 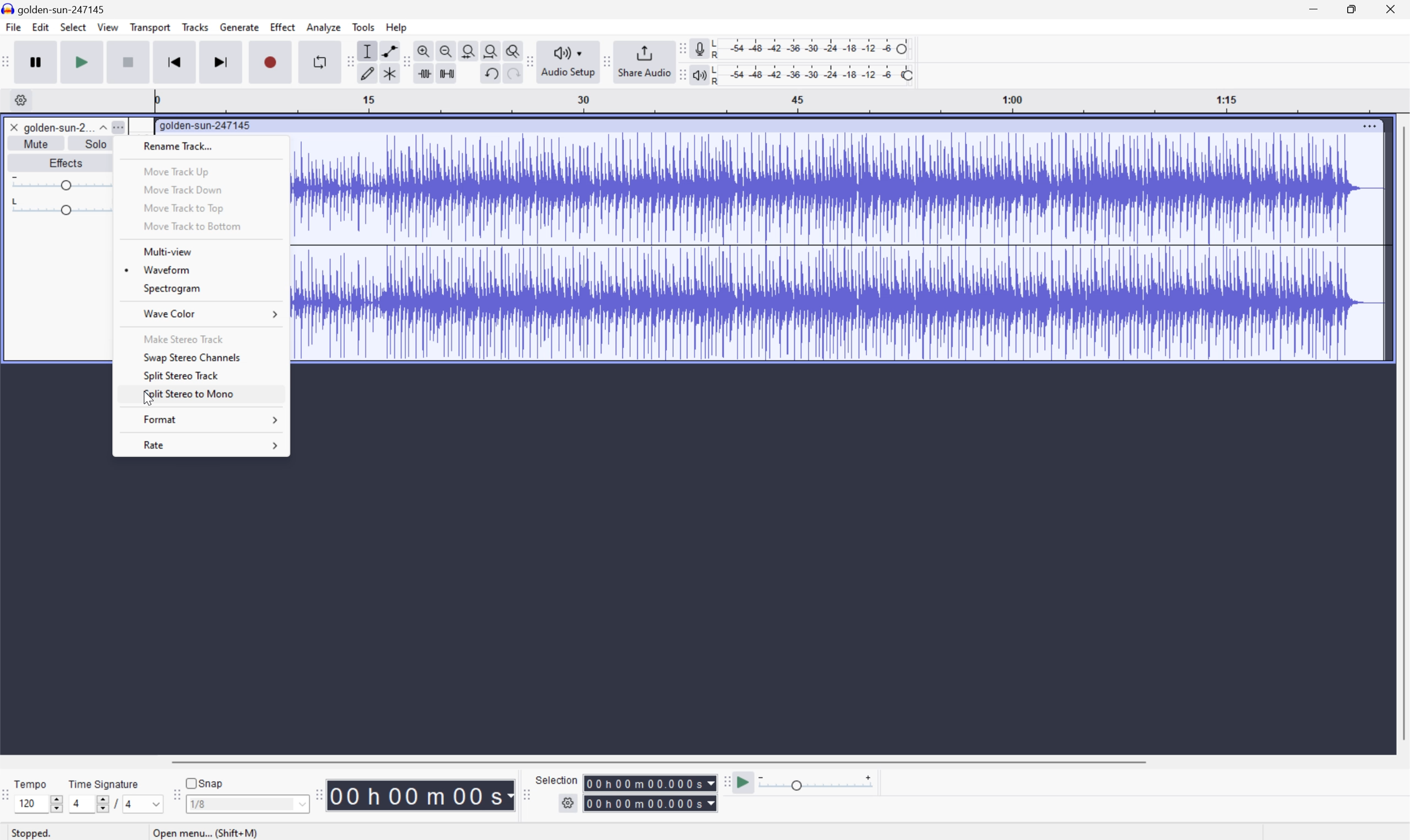 What do you see at coordinates (191, 226) in the screenshot?
I see `Move track to button` at bounding box center [191, 226].